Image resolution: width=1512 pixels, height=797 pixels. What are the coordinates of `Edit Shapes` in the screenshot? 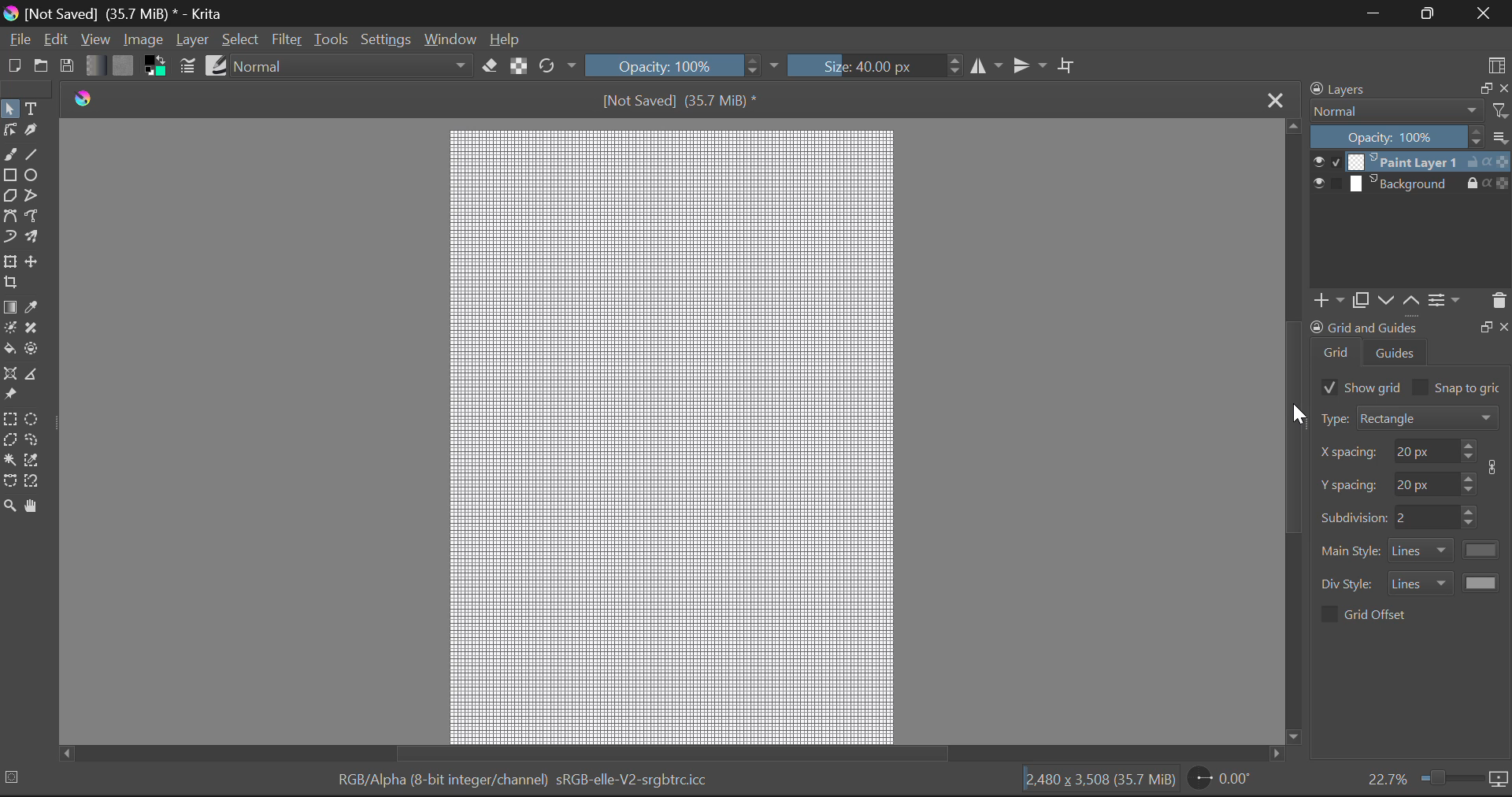 It's located at (9, 132).